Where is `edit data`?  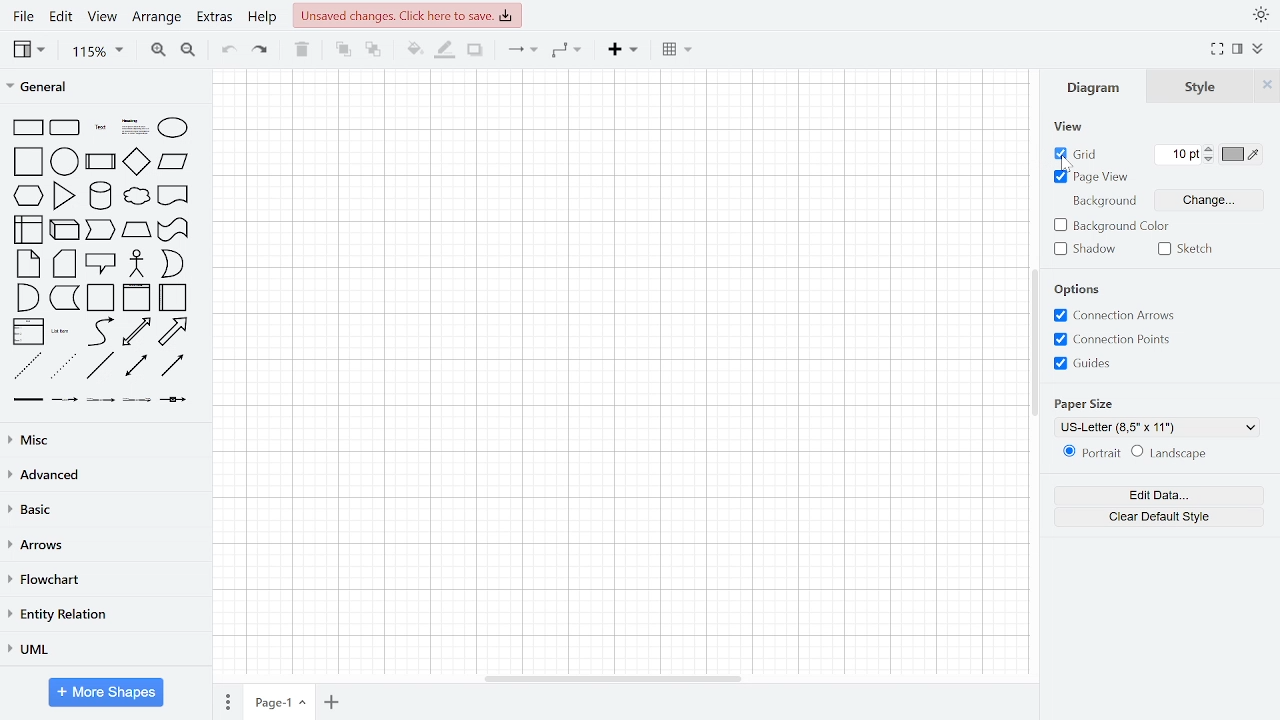
edit data is located at coordinates (1158, 495).